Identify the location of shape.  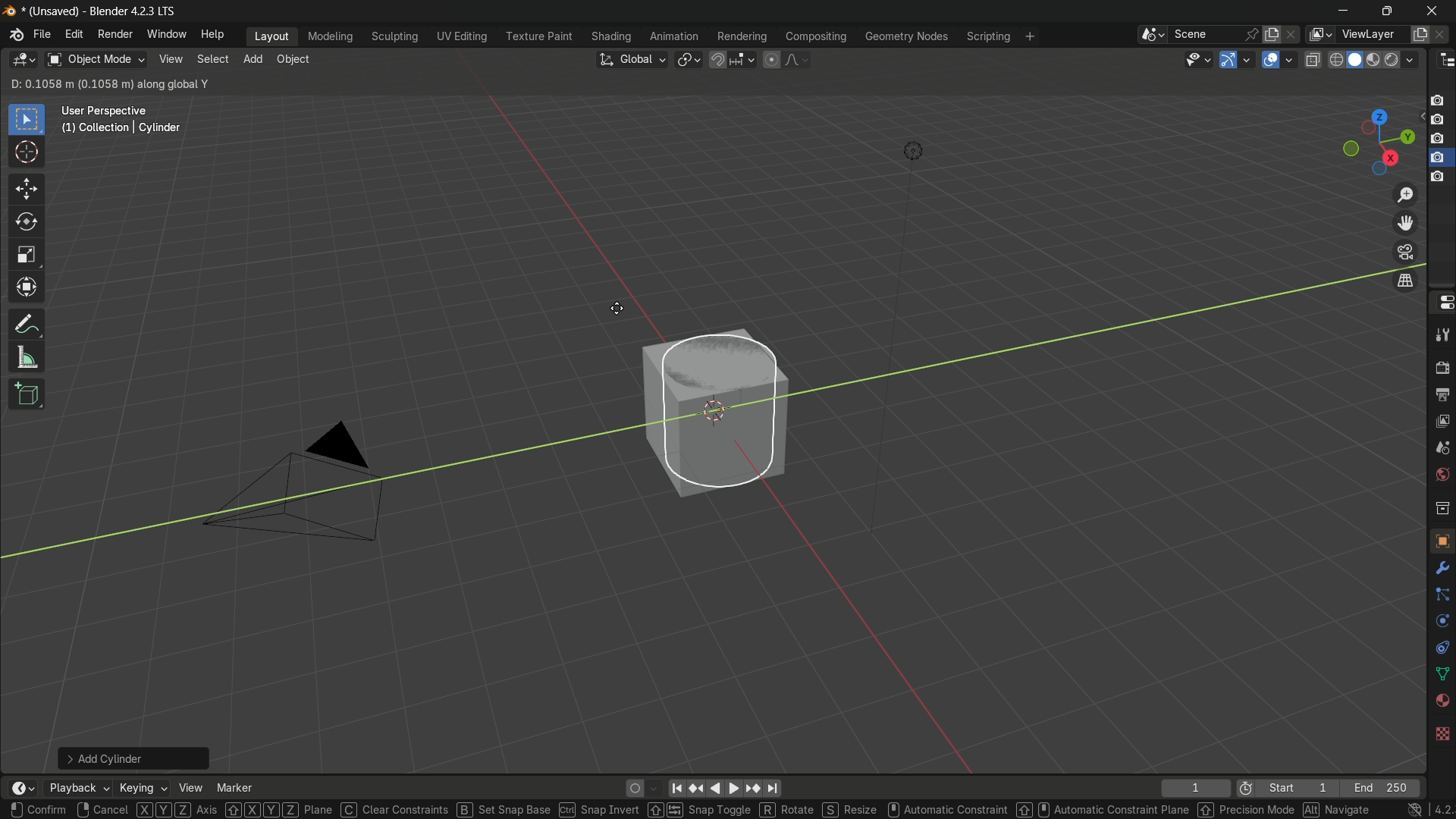
(1438, 672).